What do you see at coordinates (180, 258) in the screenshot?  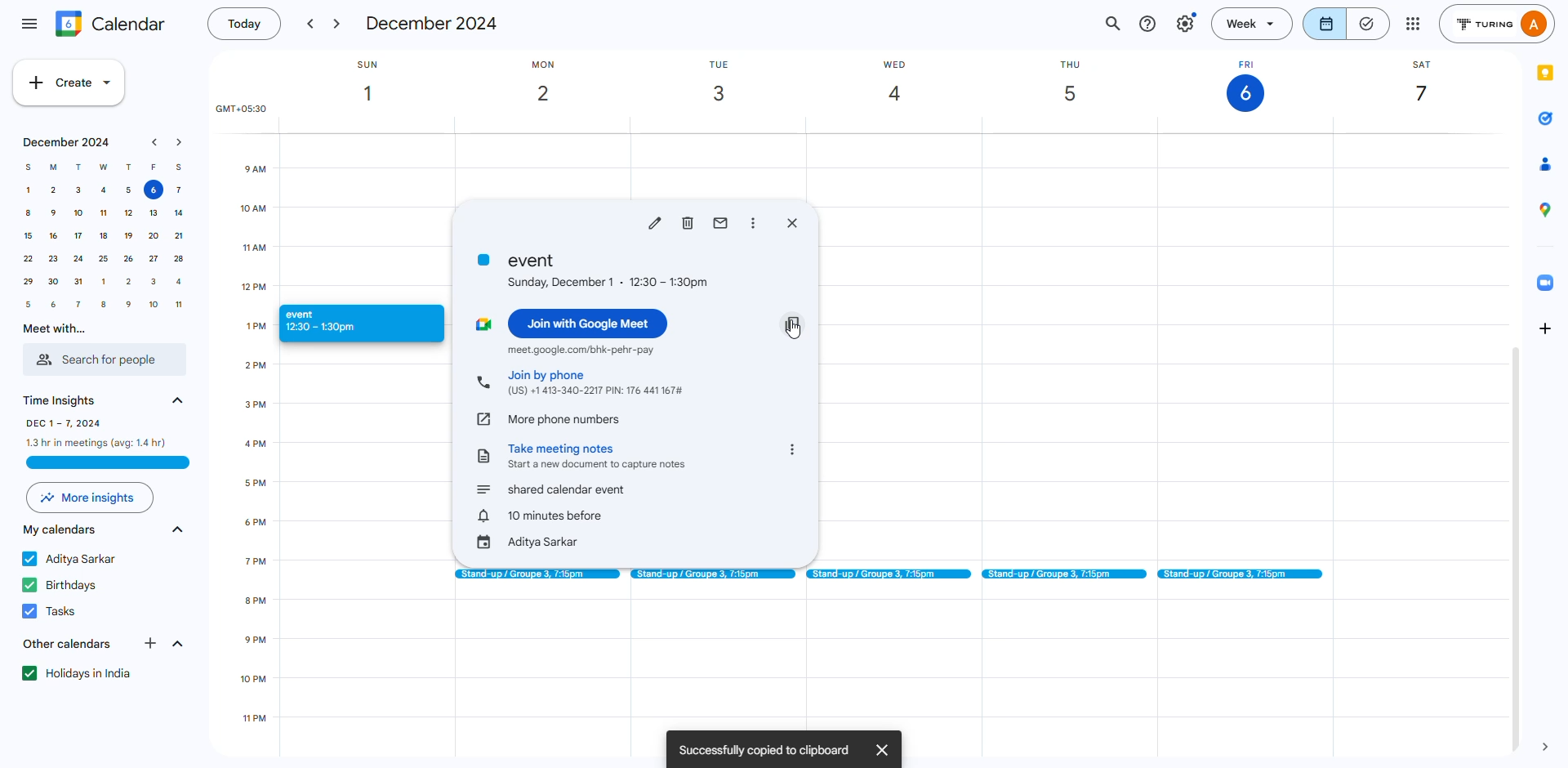 I see `28` at bounding box center [180, 258].